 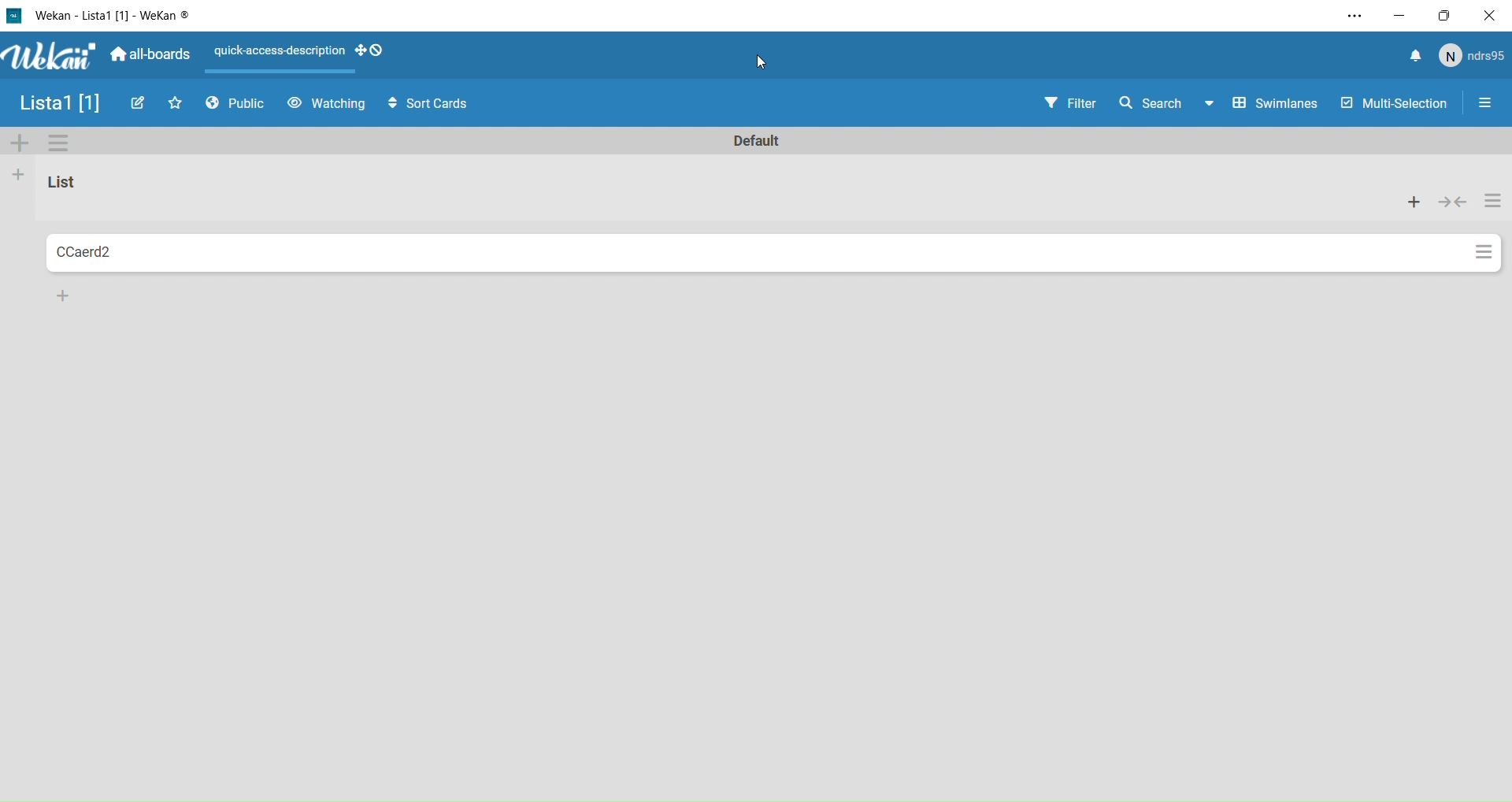 What do you see at coordinates (109, 15) in the screenshot?
I see `Wekan` at bounding box center [109, 15].